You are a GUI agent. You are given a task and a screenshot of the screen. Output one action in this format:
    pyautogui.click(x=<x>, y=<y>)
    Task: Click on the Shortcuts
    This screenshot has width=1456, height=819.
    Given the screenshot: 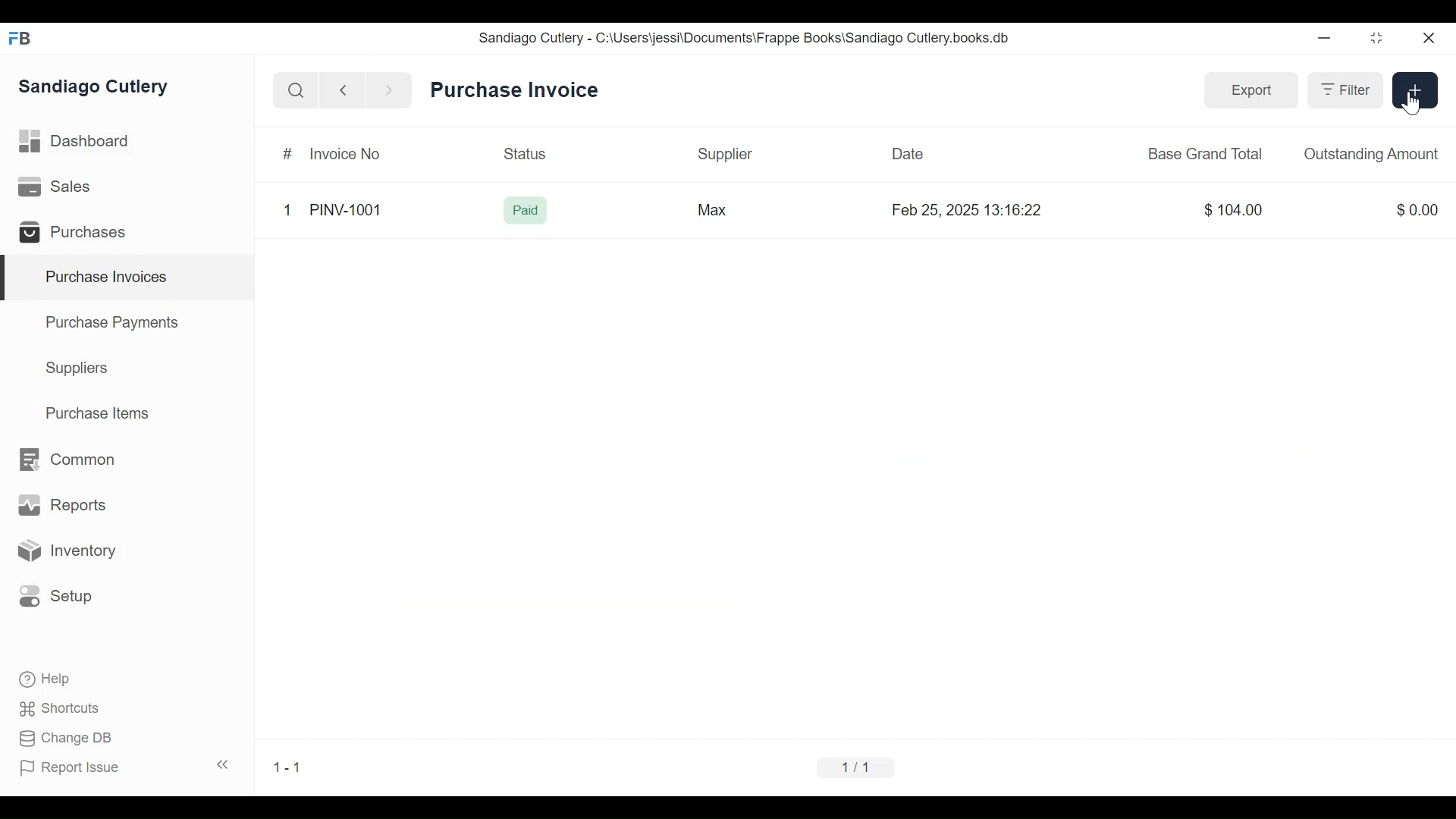 What is the action you would take?
    pyautogui.click(x=61, y=708)
    